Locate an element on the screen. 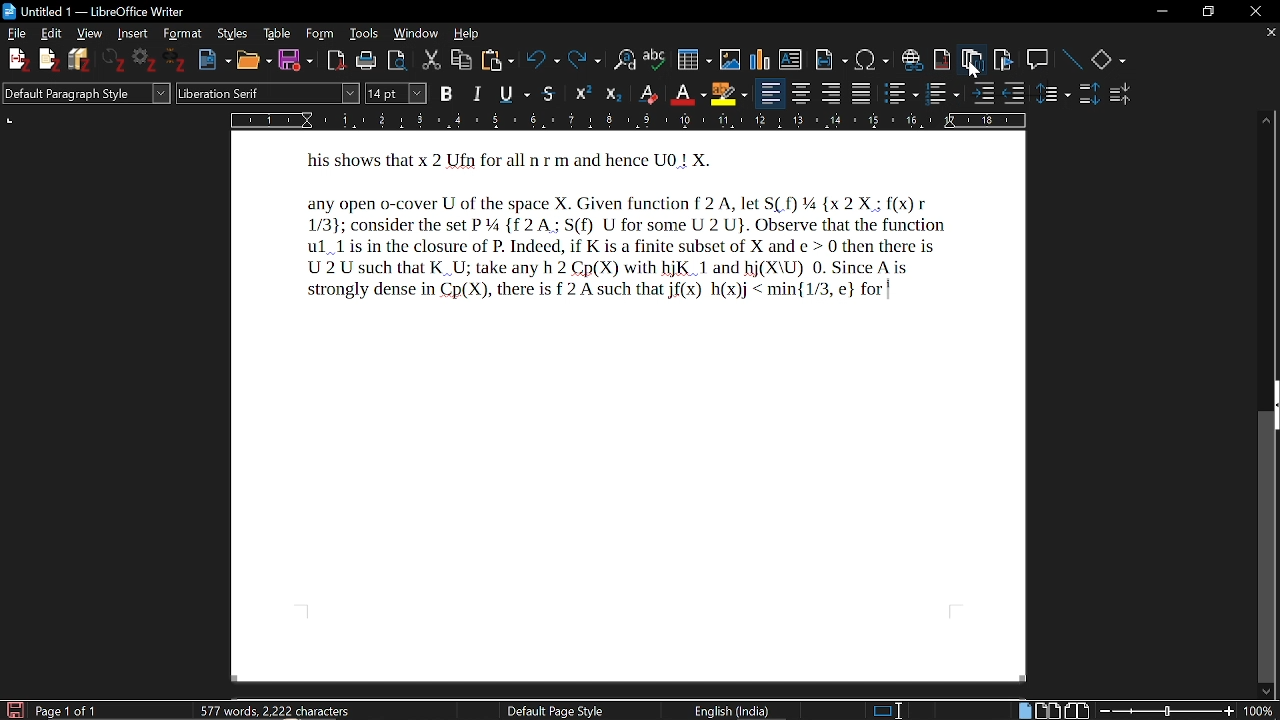  Add table is located at coordinates (694, 63).